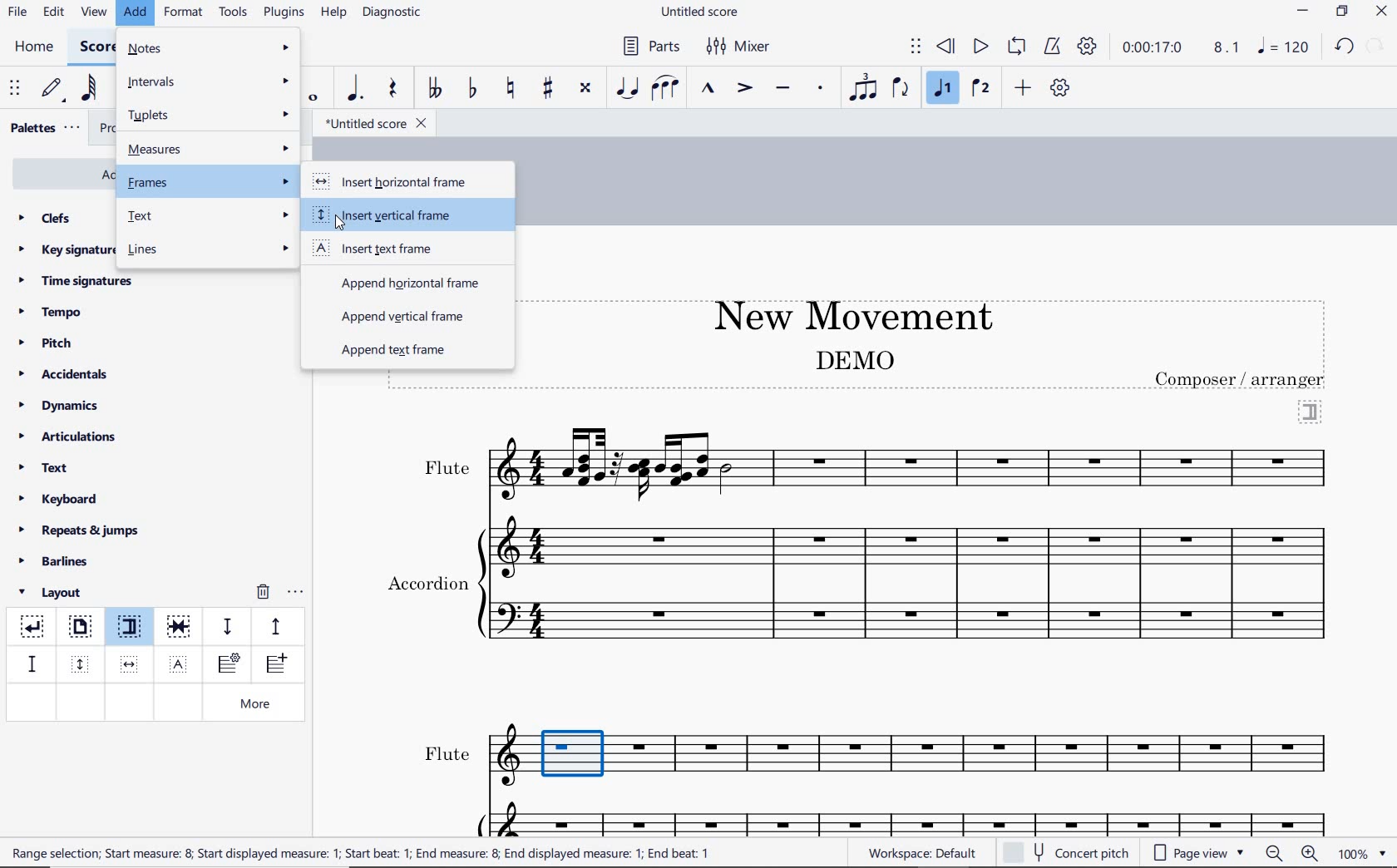 The height and width of the screenshot is (868, 1397). Describe the element at coordinates (76, 280) in the screenshot. I see `time signatures` at that location.